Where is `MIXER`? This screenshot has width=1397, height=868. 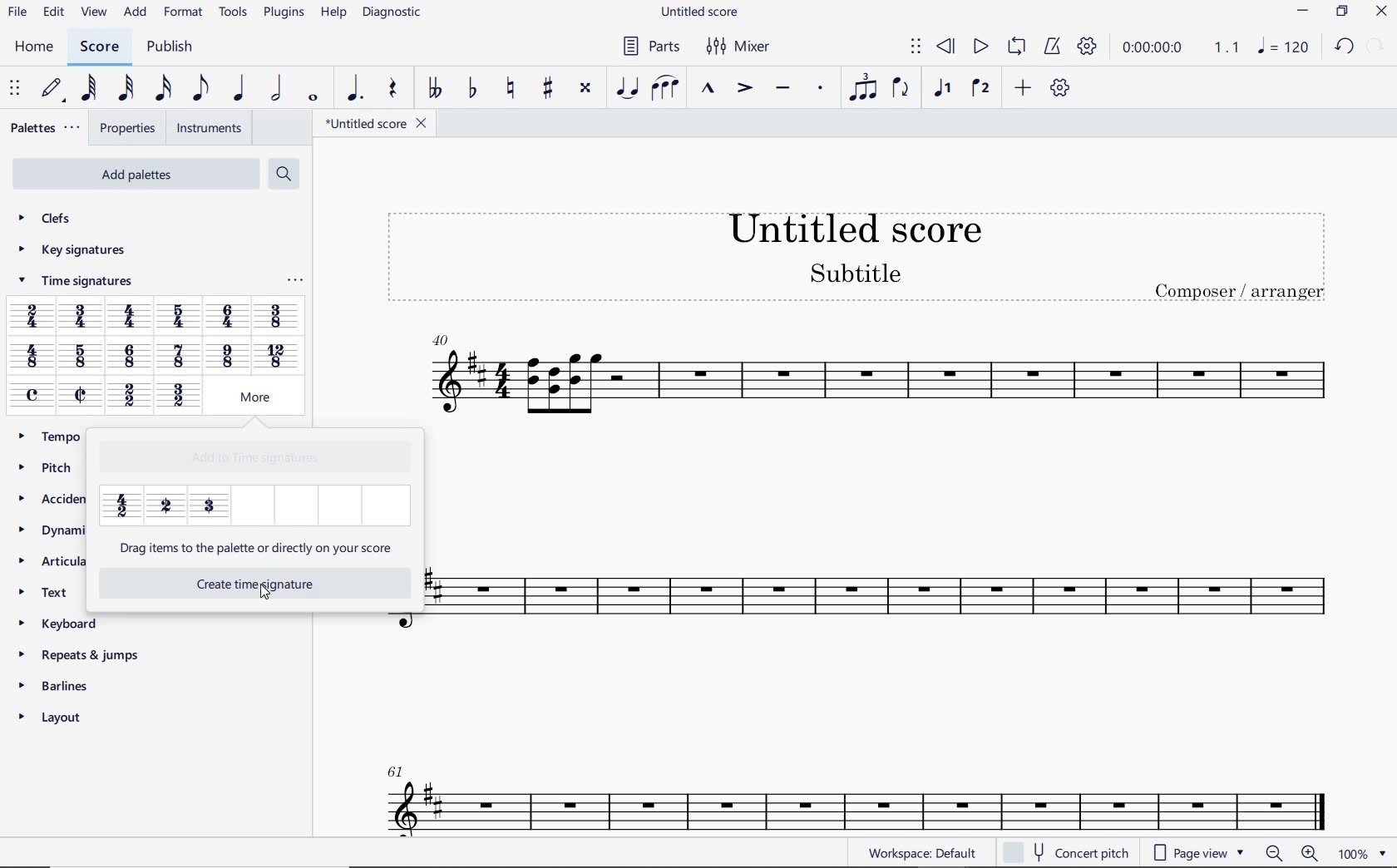
MIXER is located at coordinates (740, 47).